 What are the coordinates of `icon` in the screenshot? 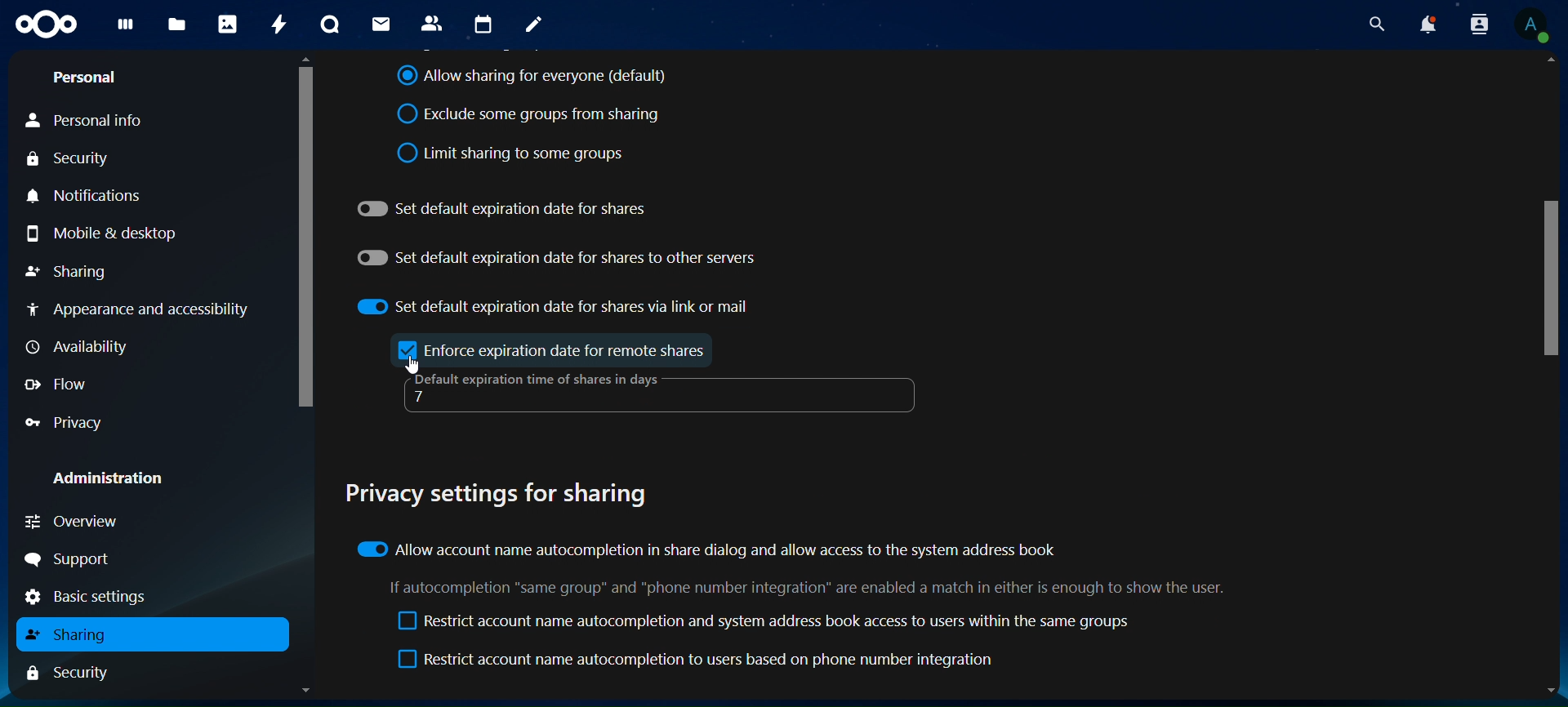 It's located at (411, 350).